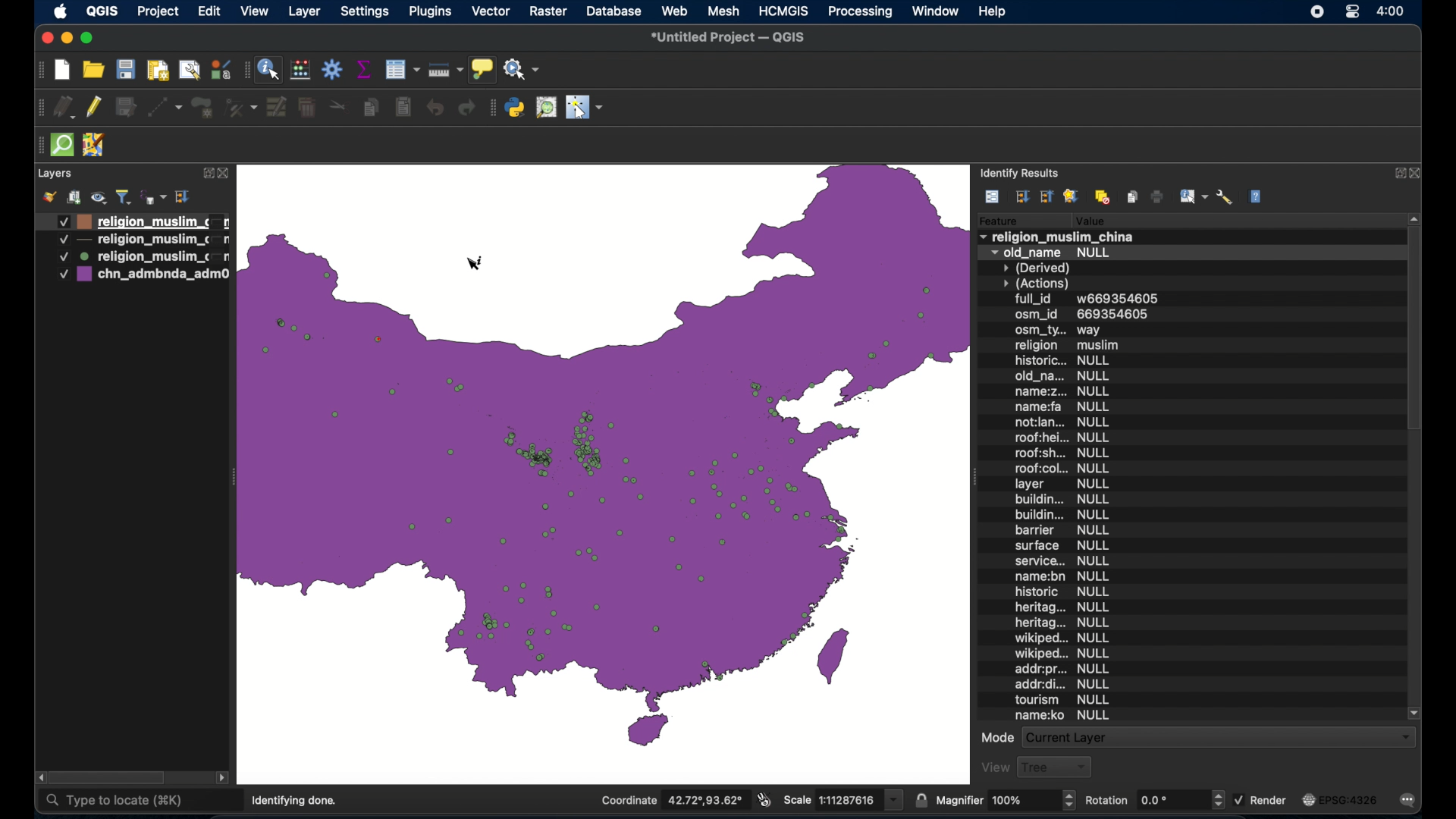  What do you see at coordinates (1260, 197) in the screenshot?
I see `help` at bounding box center [1260, 197].